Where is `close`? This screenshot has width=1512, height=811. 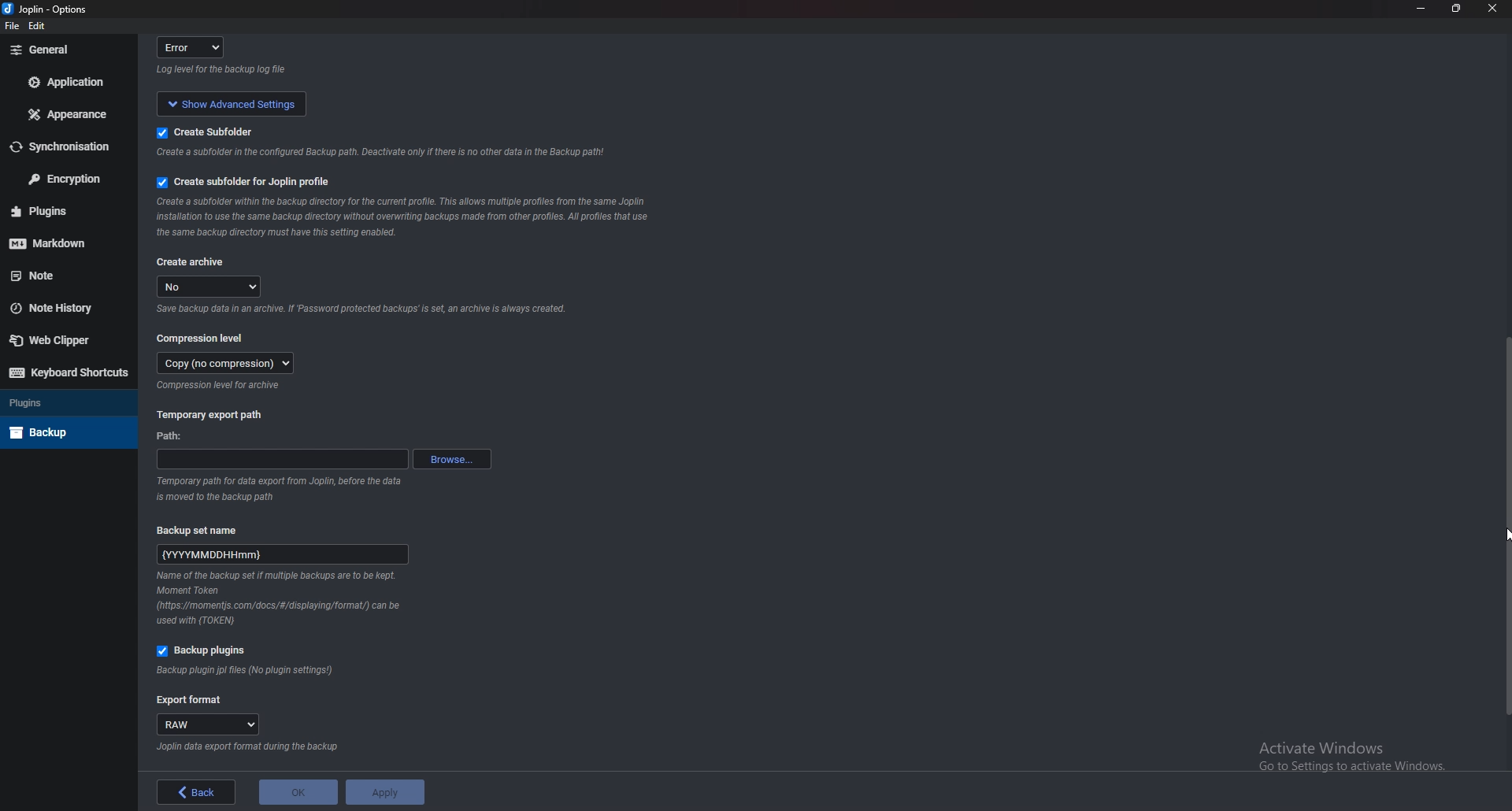 close is located at coordinates (1490, 12).